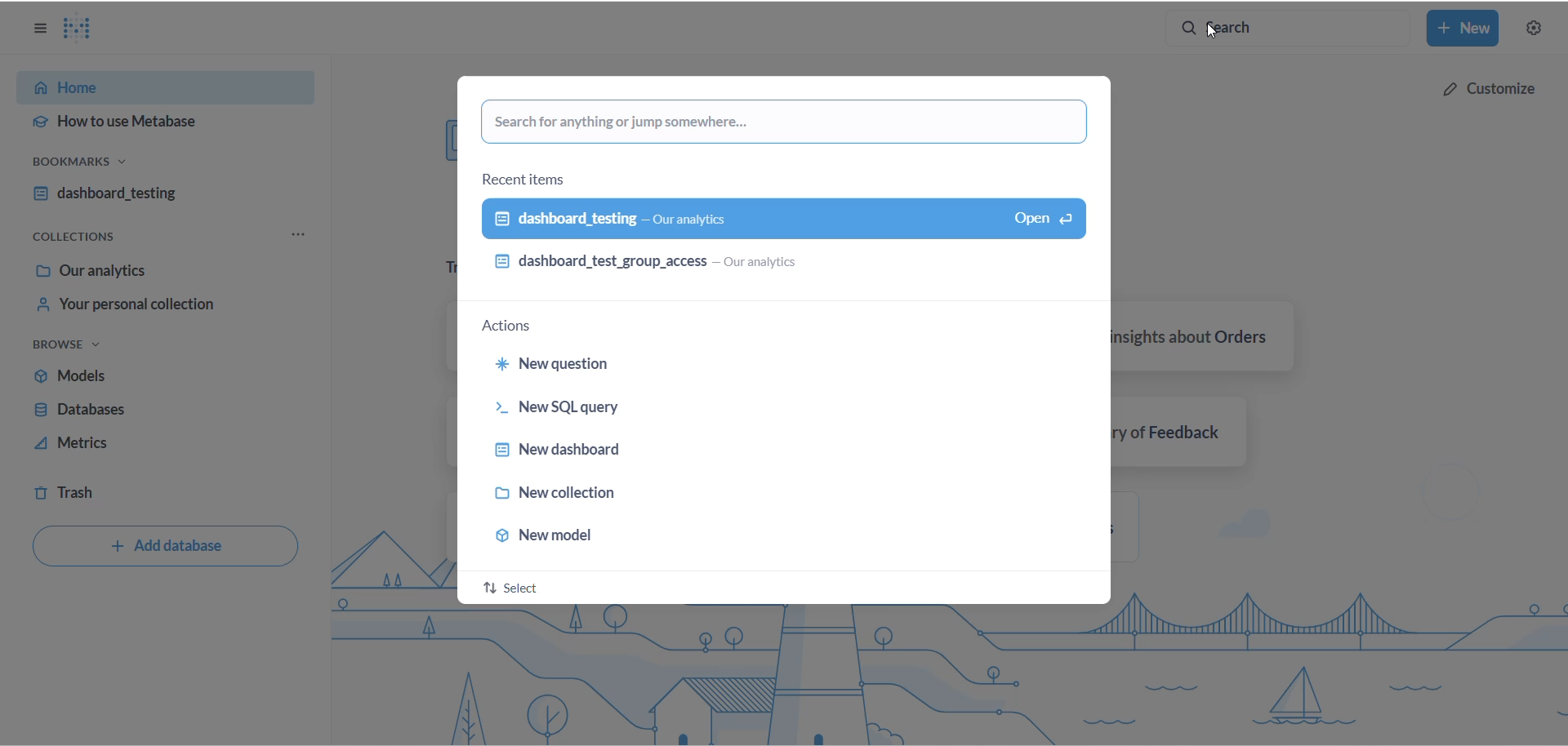 The width and height of the screenshot is (1568, 746). I want to click on of feedback, so click(1185, 429).